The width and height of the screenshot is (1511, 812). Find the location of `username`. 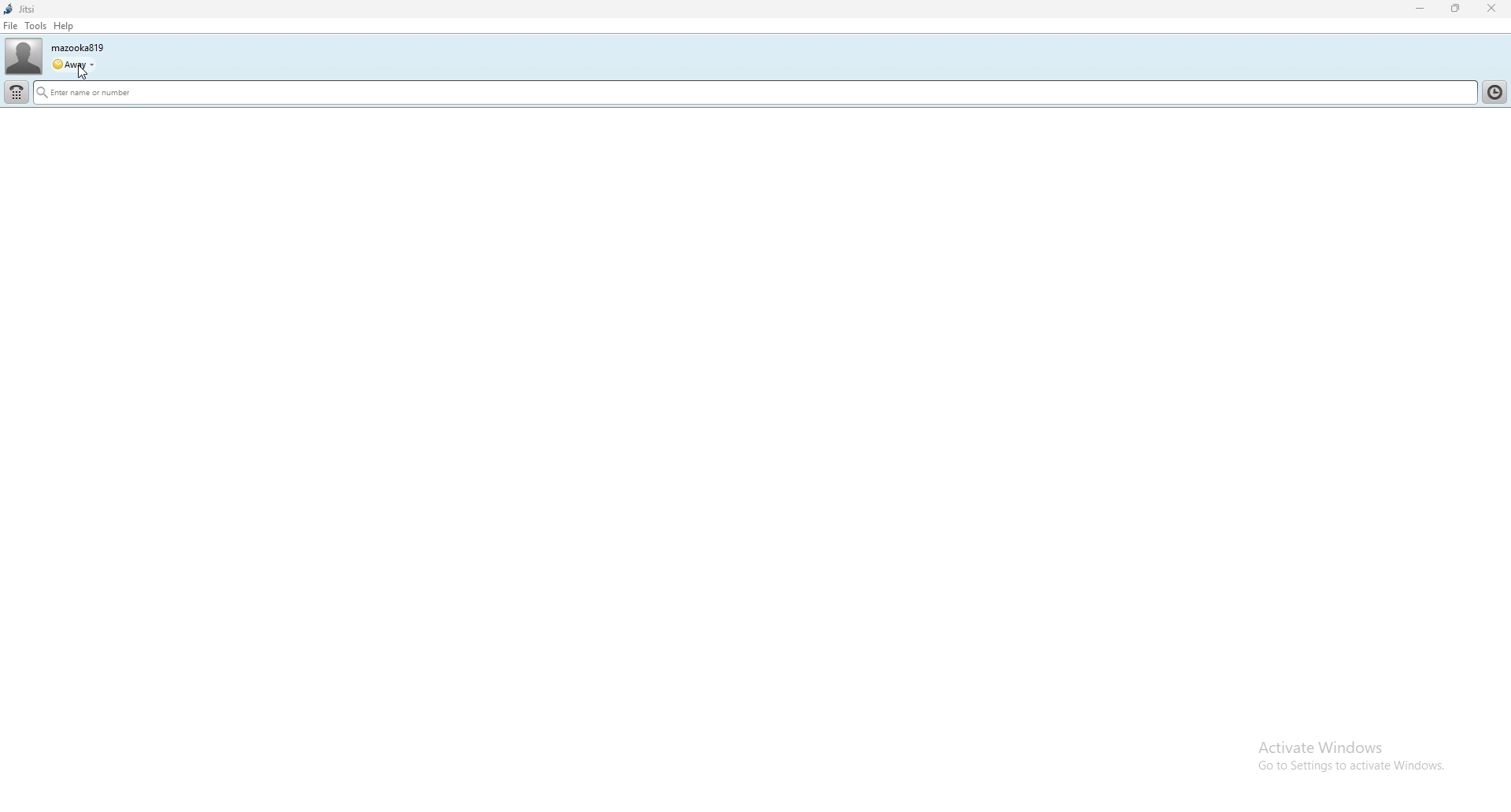

username is located at coordinates (77, 47).